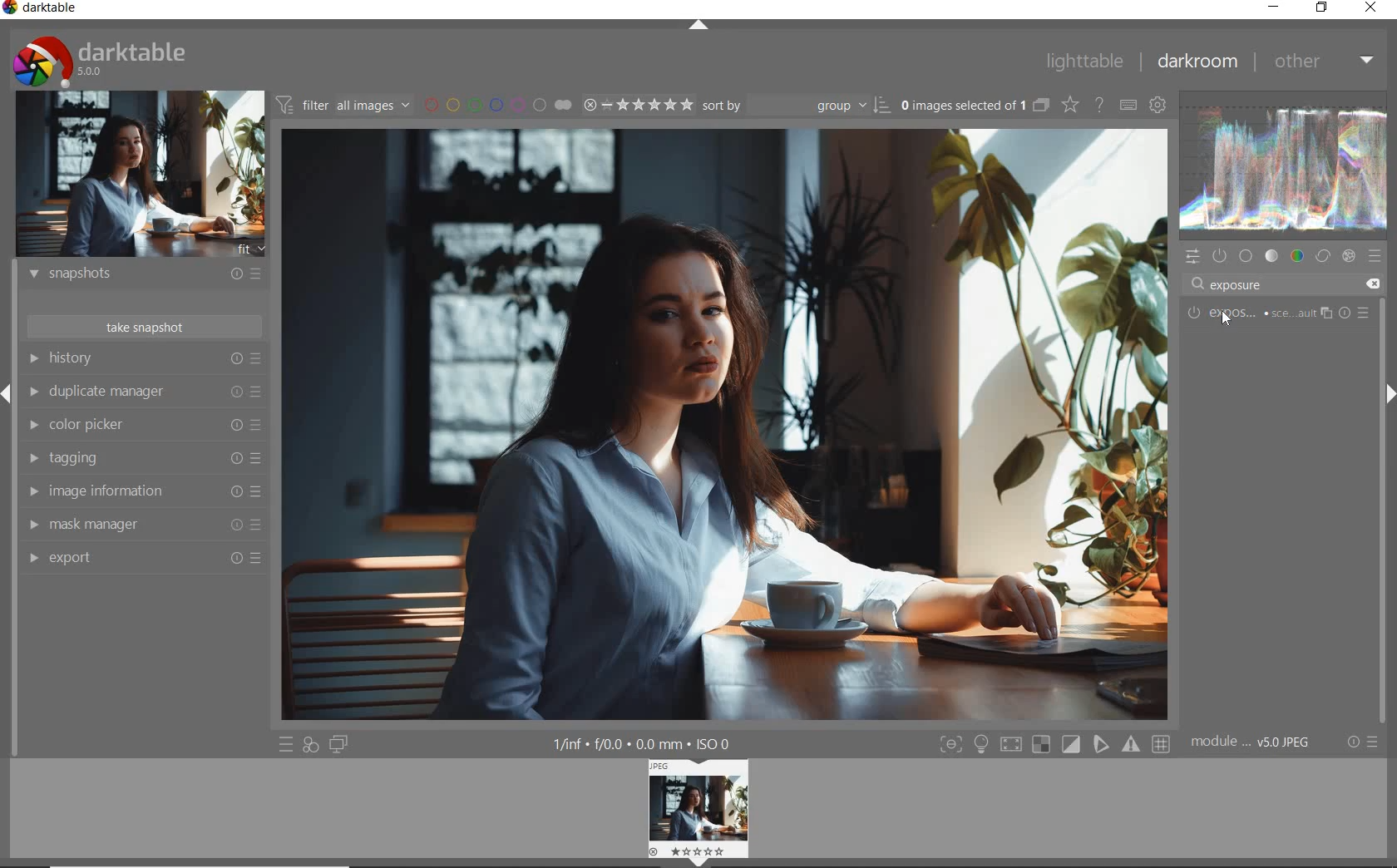 This screenshot has width=1397, height=868. I want to click on system logo, so click(101, 61).